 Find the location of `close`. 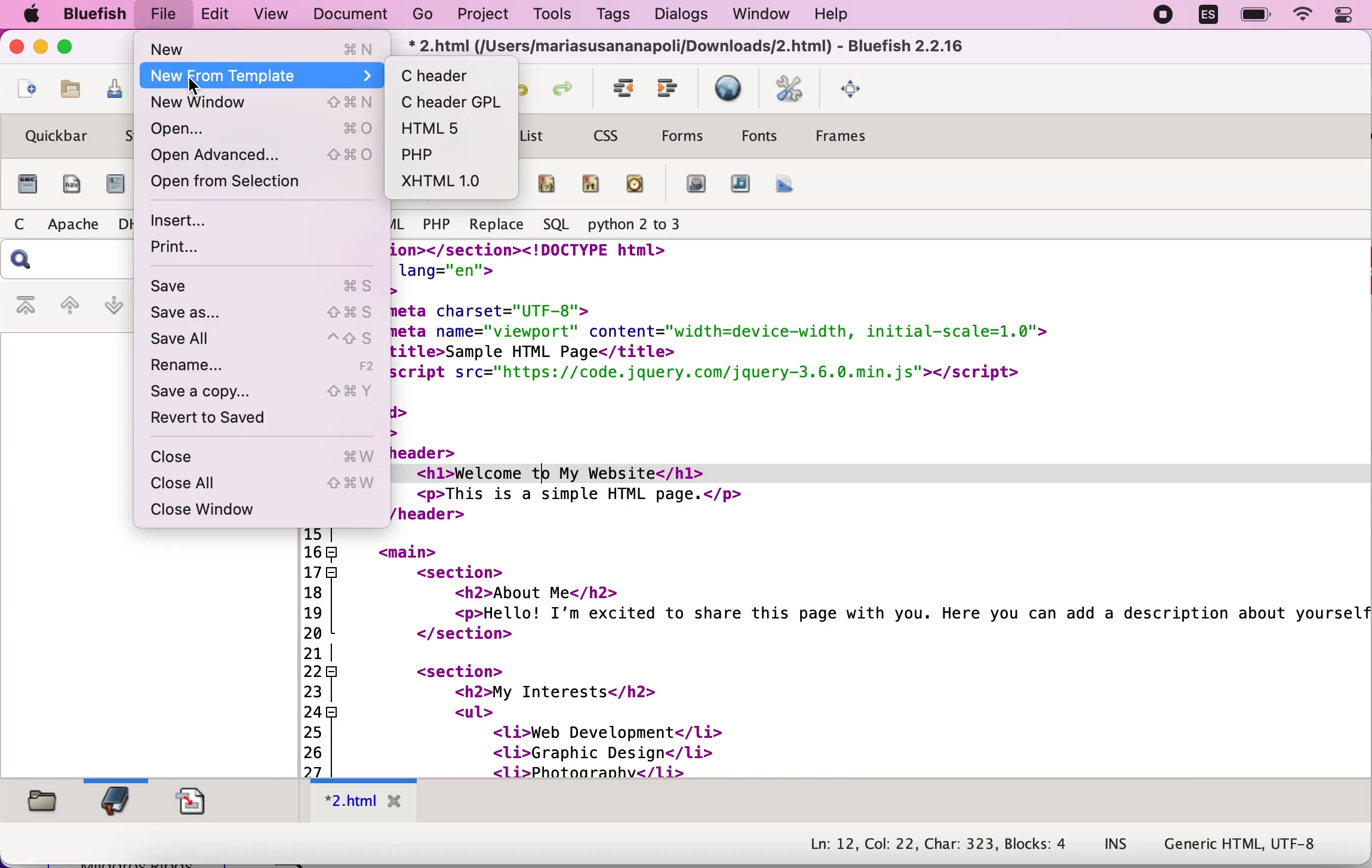

close is located at coordinates (17, 48).